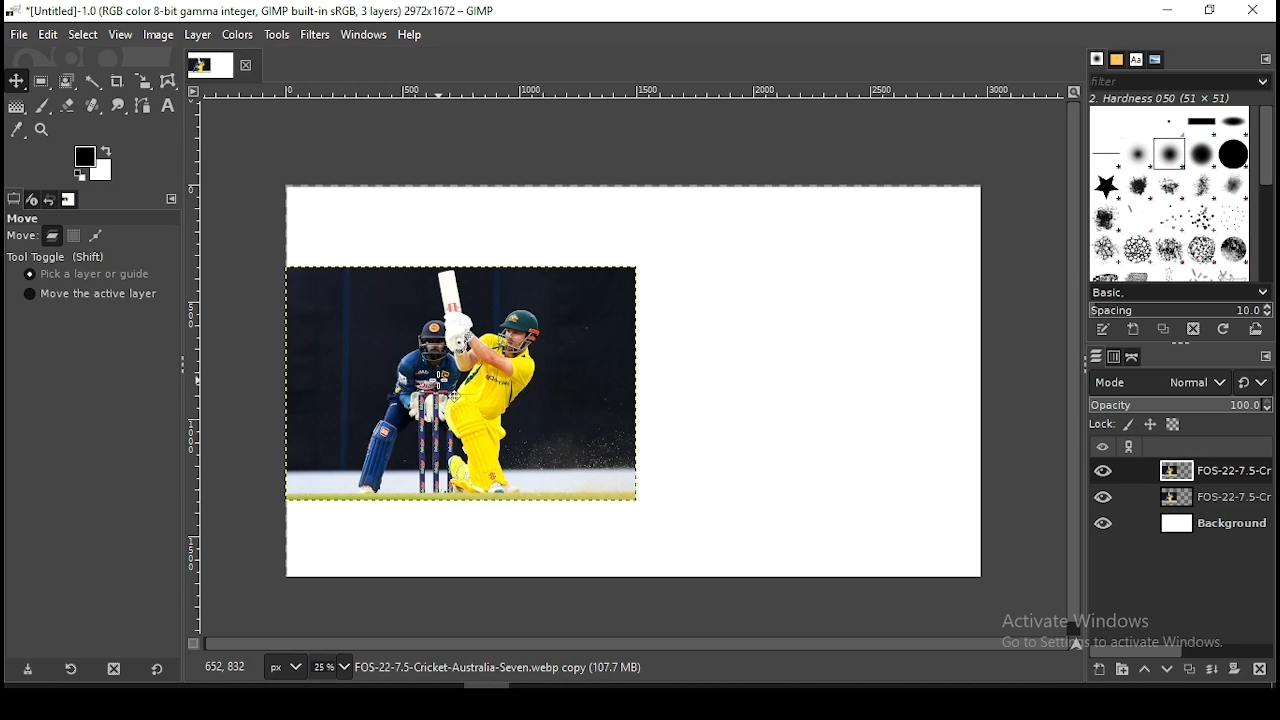  What do you see at coordinates (1180, 406) in the screenshot?
I see `opacity` at bounding box center [1180, 406].